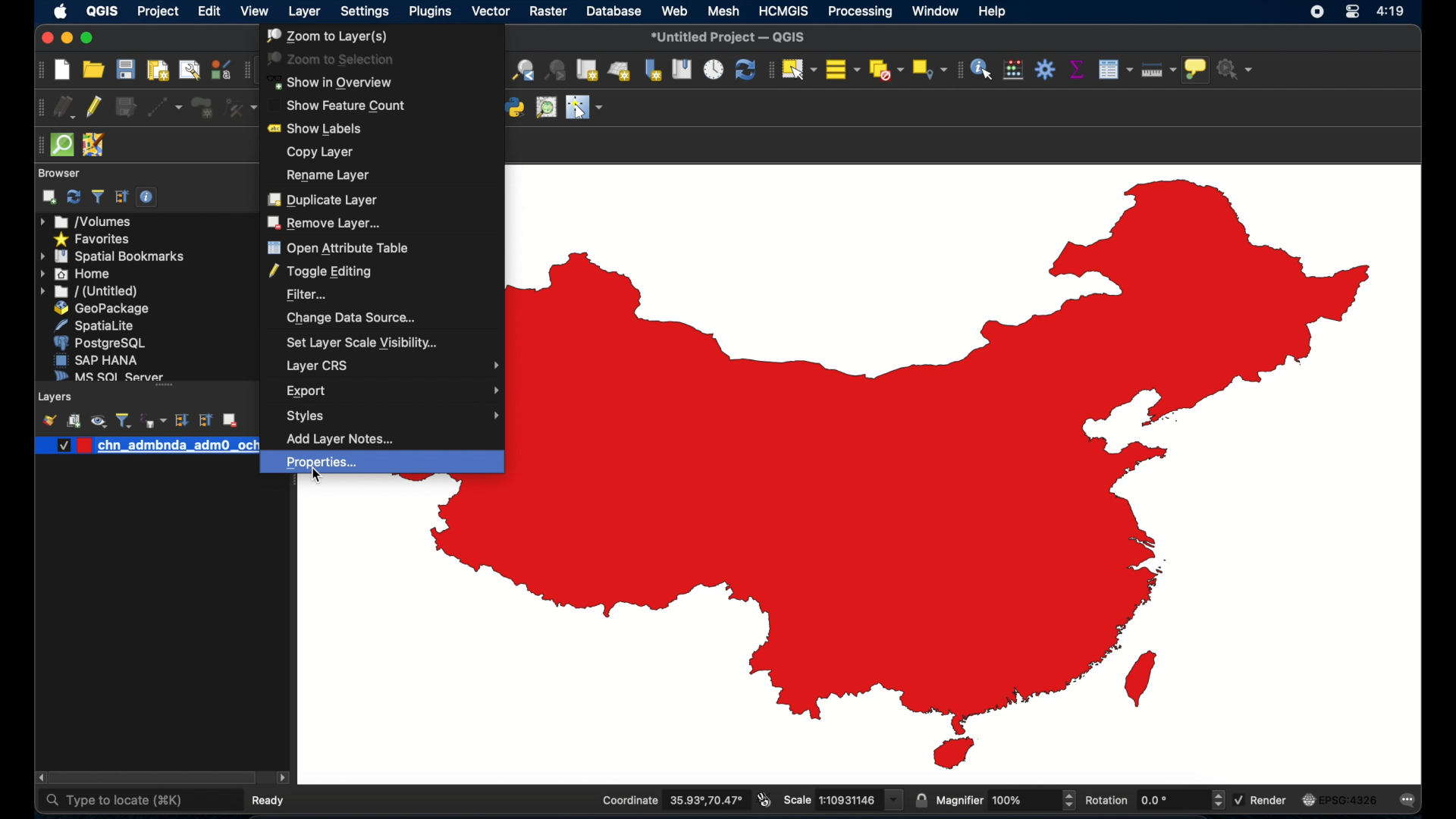 The height and width of the screenshot is (819, 1456). Describe the element at coordinates (74, 196) in the screenshot. I see `refresh` at that location.